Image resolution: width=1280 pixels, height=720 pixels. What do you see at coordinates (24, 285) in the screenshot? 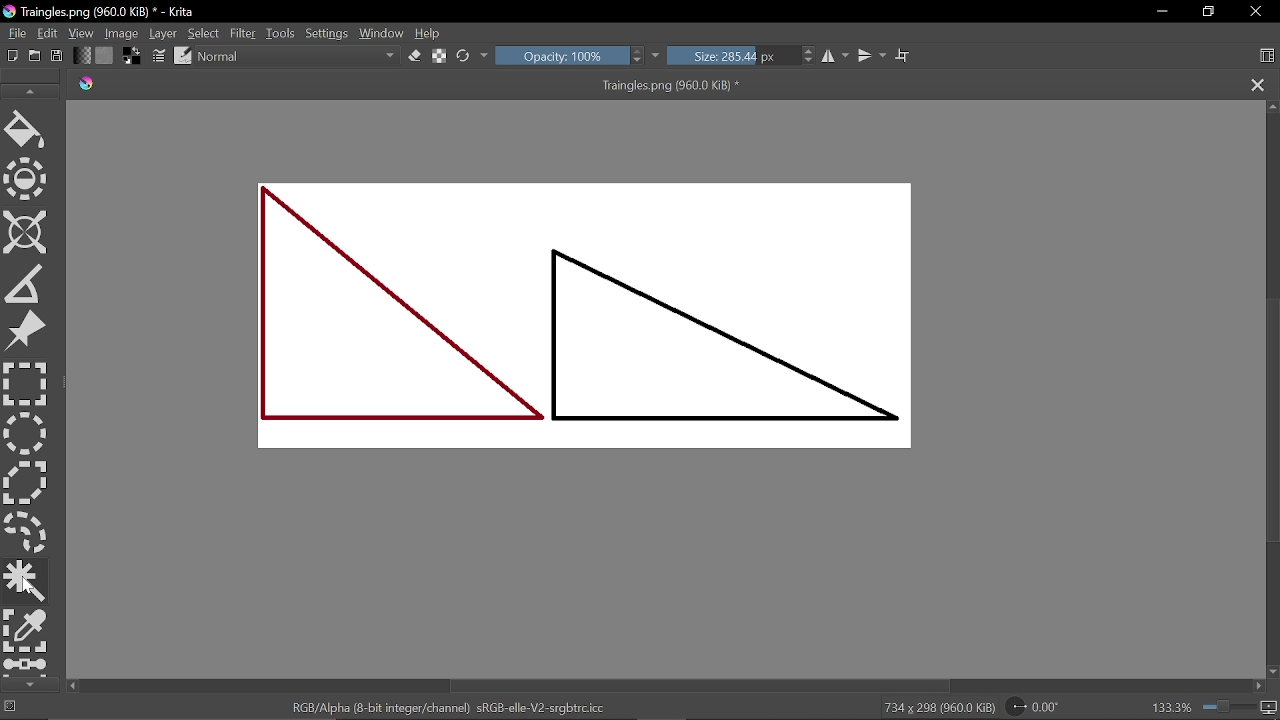
I see `Measure the distance between two points` at bounding box center [24, 285].